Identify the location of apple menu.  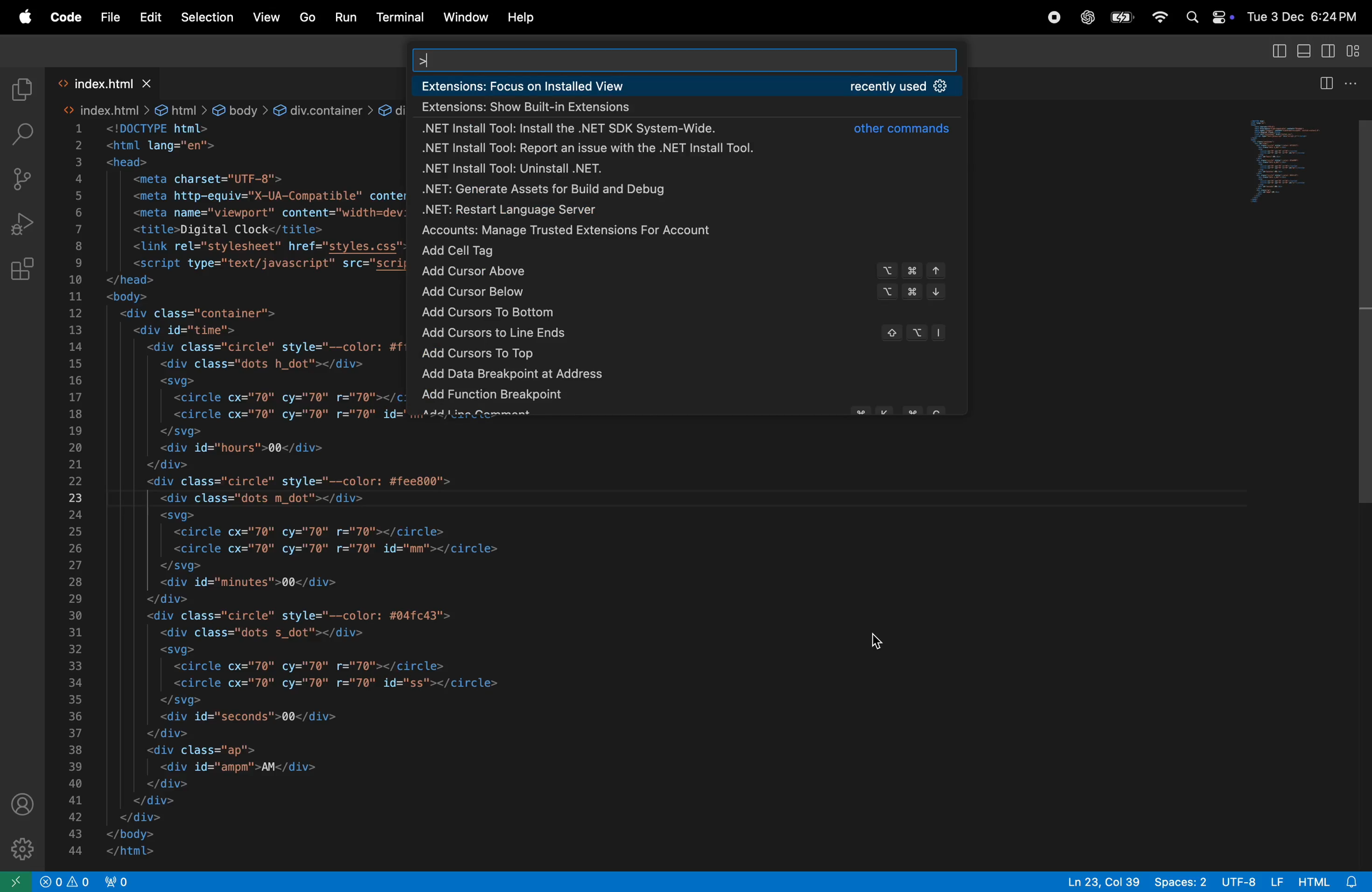
(1124, 18).